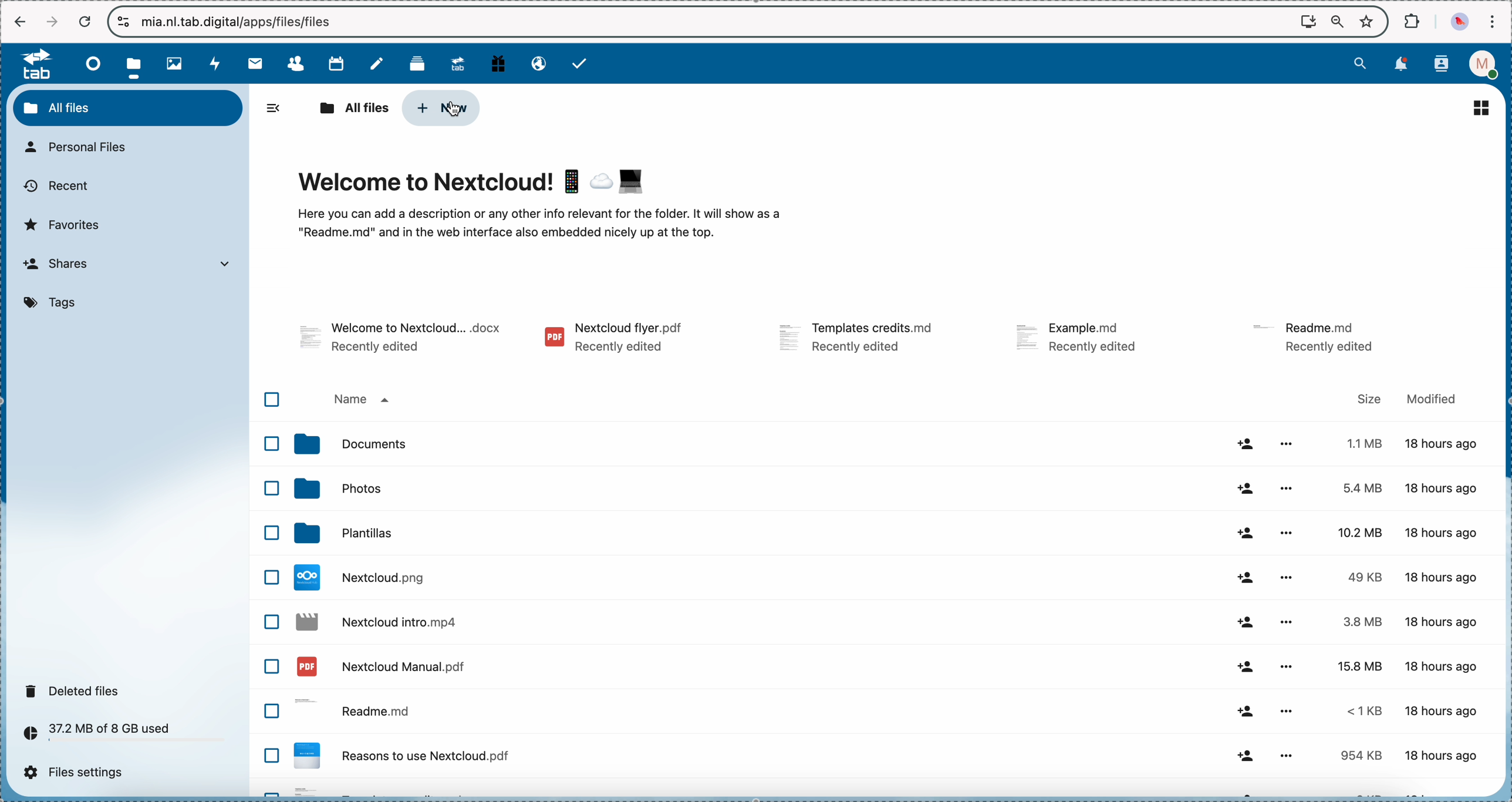 The image size is (1512, 802). I want to click on more options, so click(1289, 754).